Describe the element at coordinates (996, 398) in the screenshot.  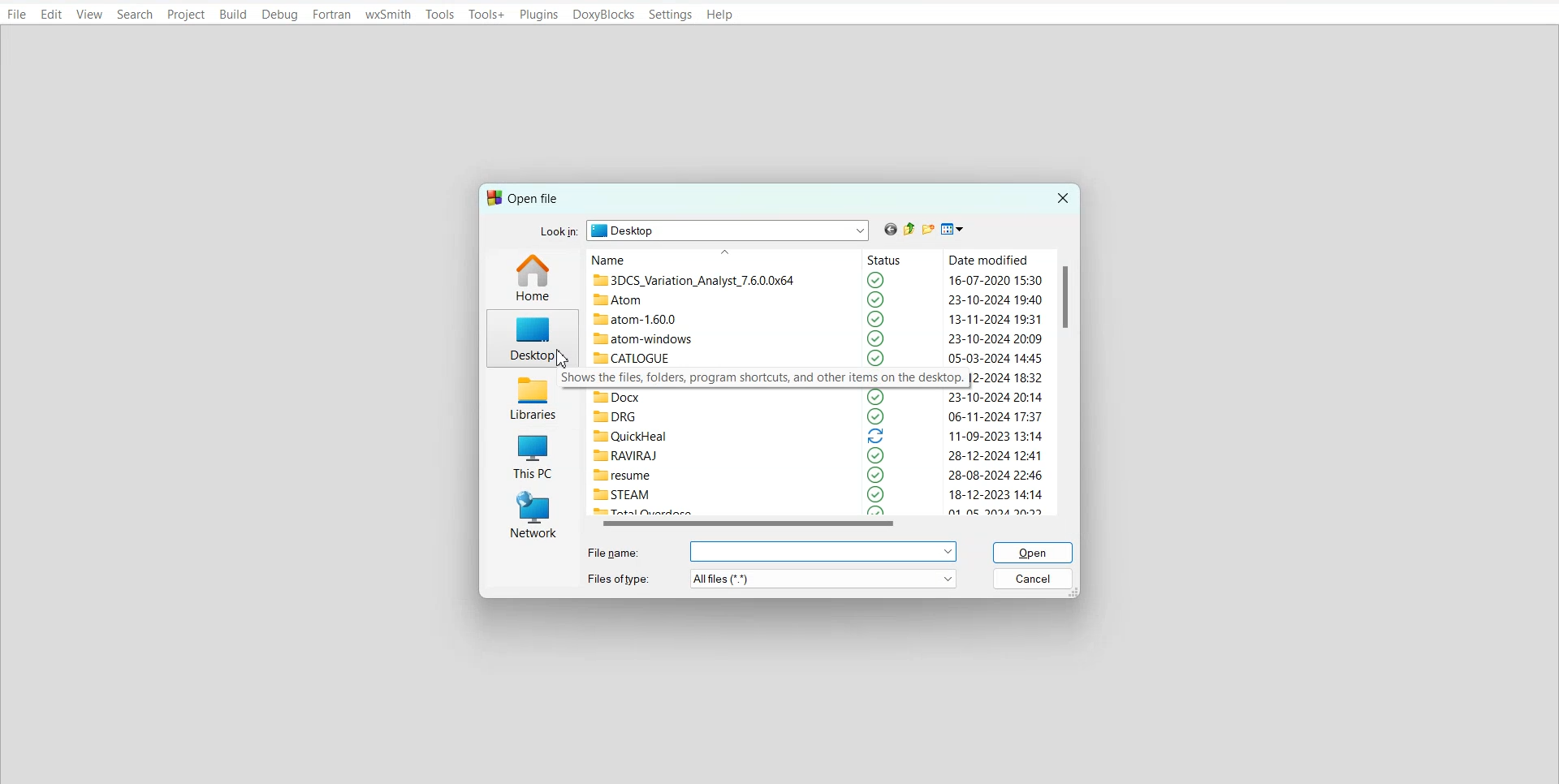
I see `23-10-2024 20:14` at that location.